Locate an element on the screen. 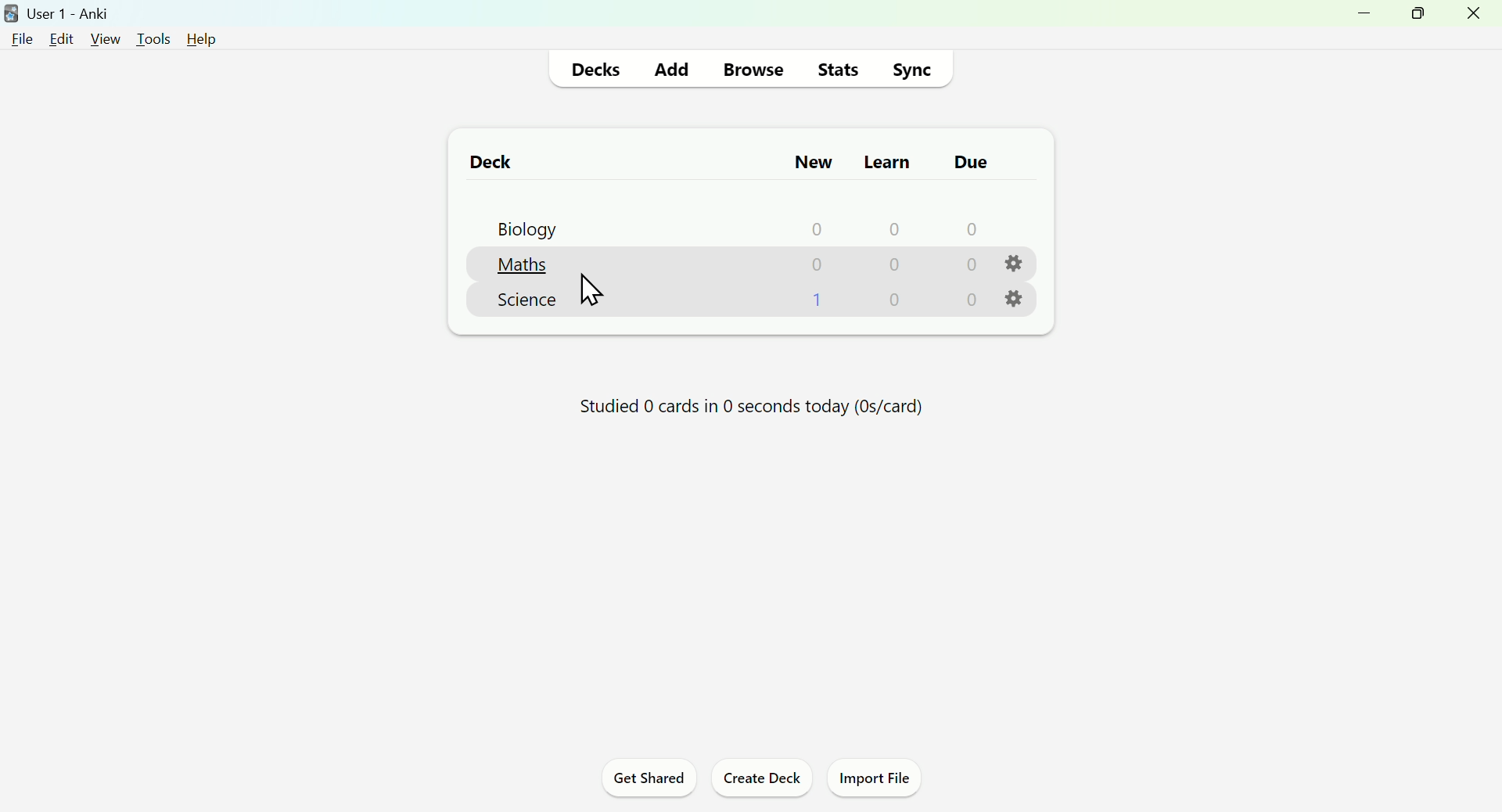 The image size is (1502, 812). Deck is located at coordinates (483, 161).